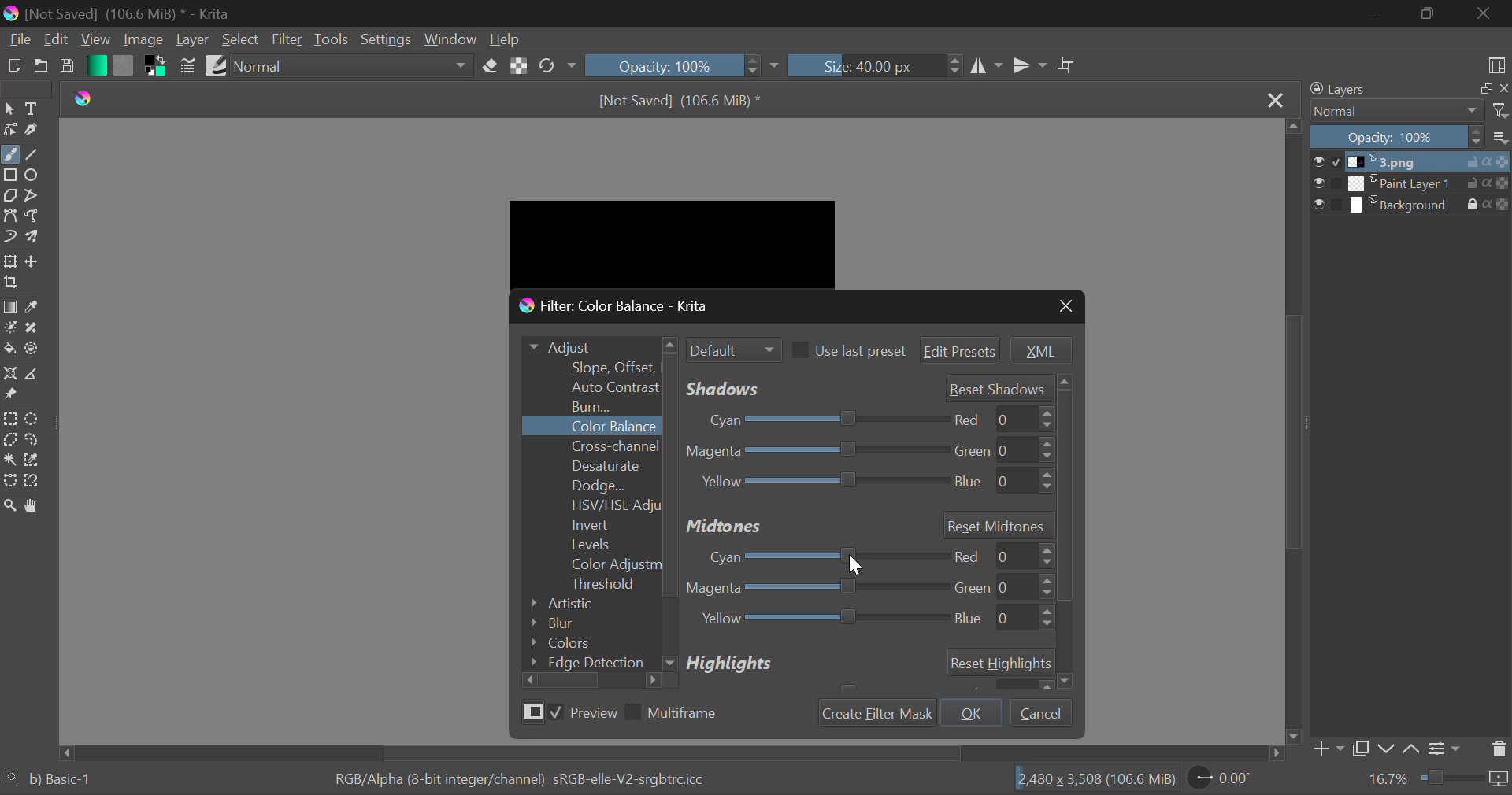 This screenshot has height=795, width=1512. I want to click on Delete Layer, so click(1499, 749).